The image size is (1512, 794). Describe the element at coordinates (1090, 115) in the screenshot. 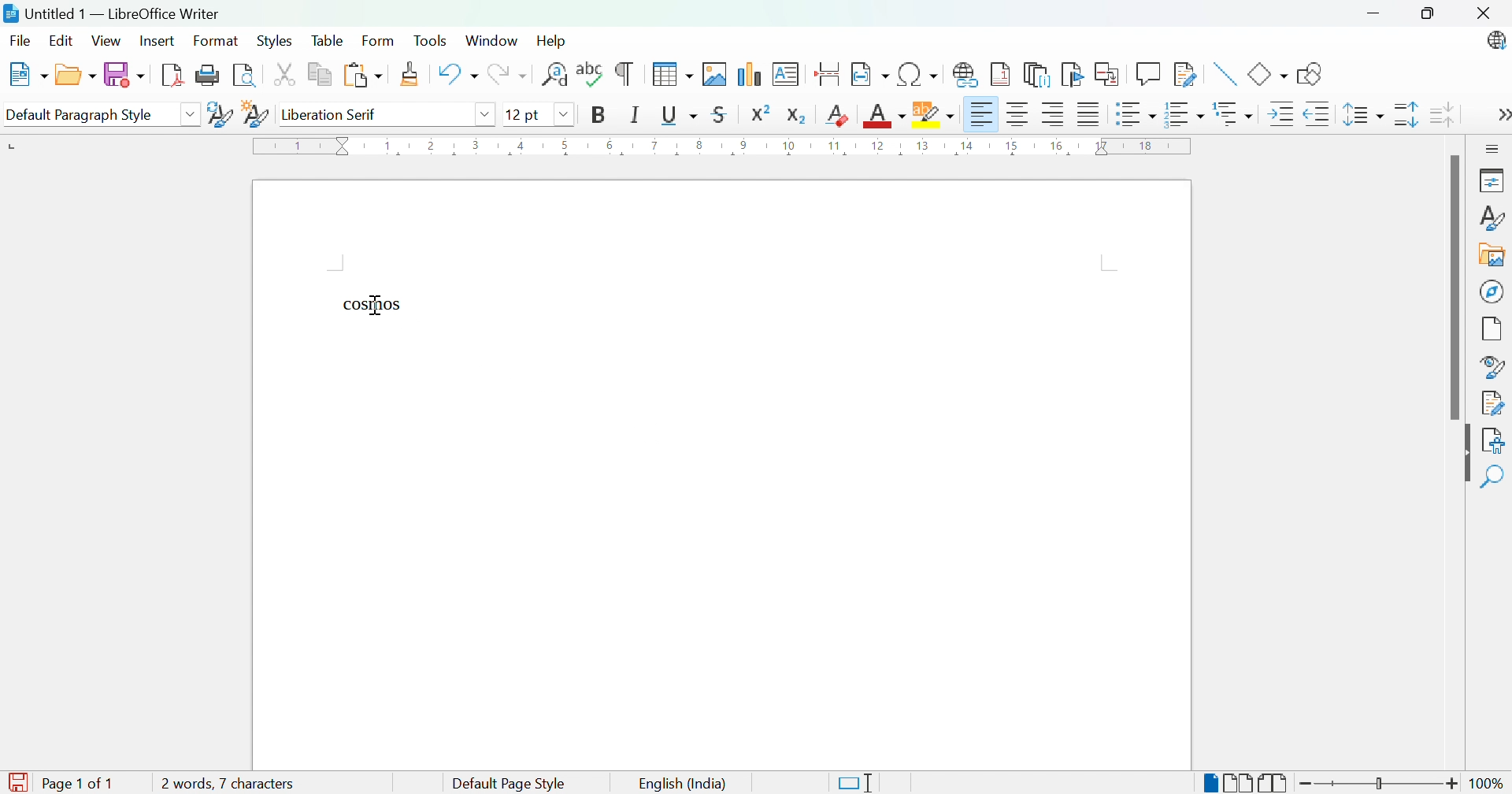

I see `Justified` at that location.